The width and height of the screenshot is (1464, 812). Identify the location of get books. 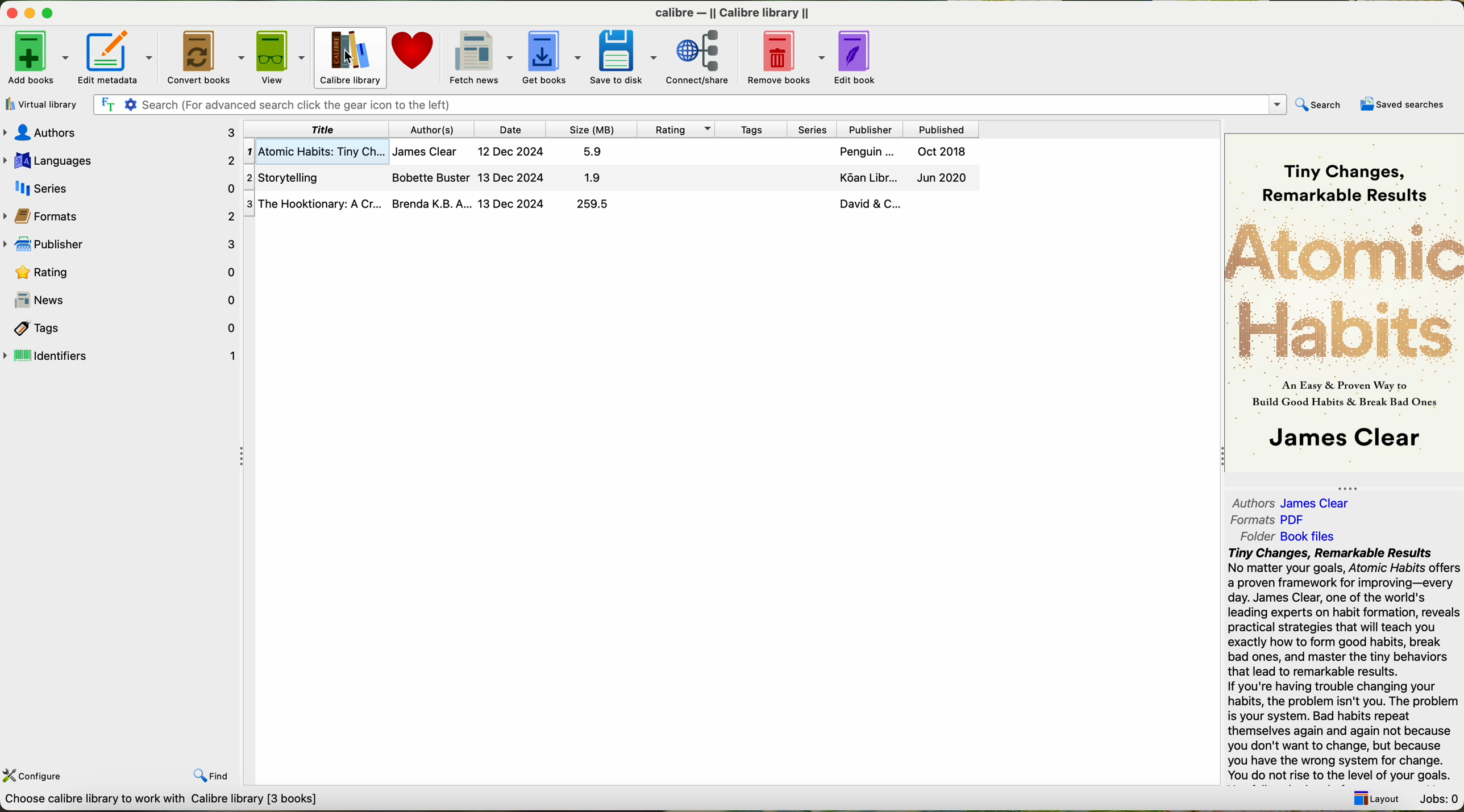
(551, 56).